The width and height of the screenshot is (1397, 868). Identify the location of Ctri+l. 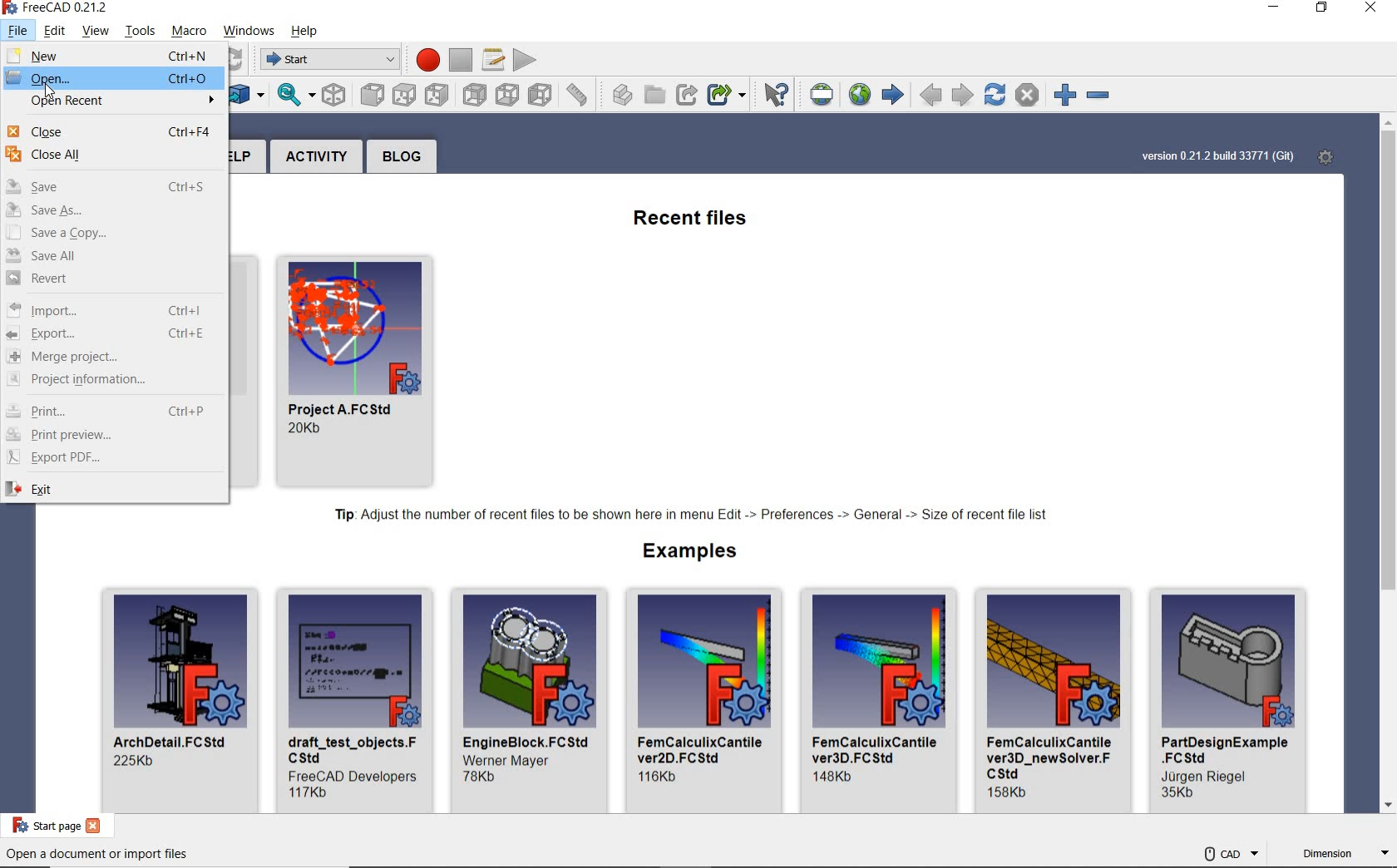
(187, 311).